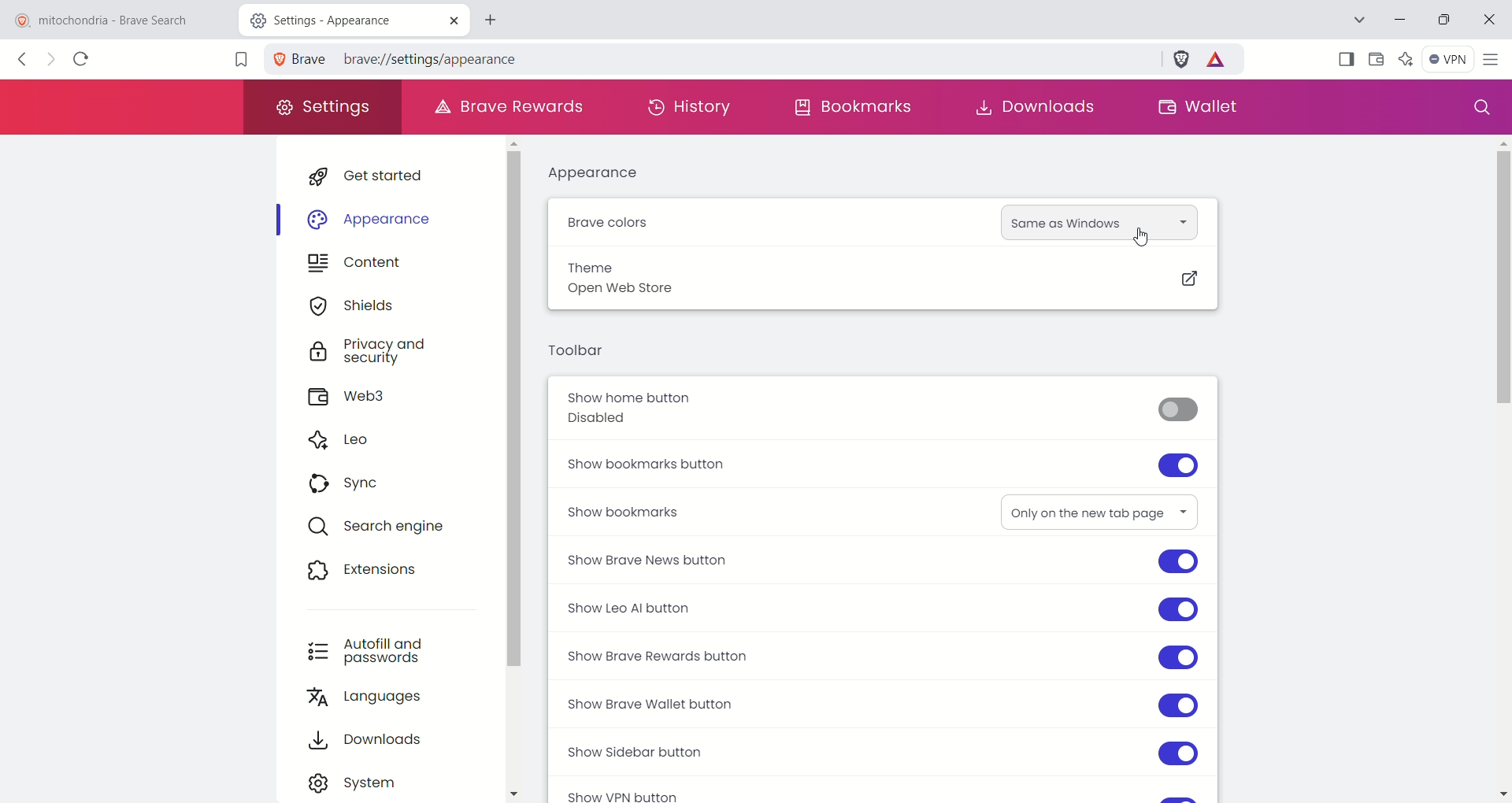 This screenshot has height=803, width=1512. Describe the element at coordinates (348, 439) in the screenshot. I see `leo` at that location.